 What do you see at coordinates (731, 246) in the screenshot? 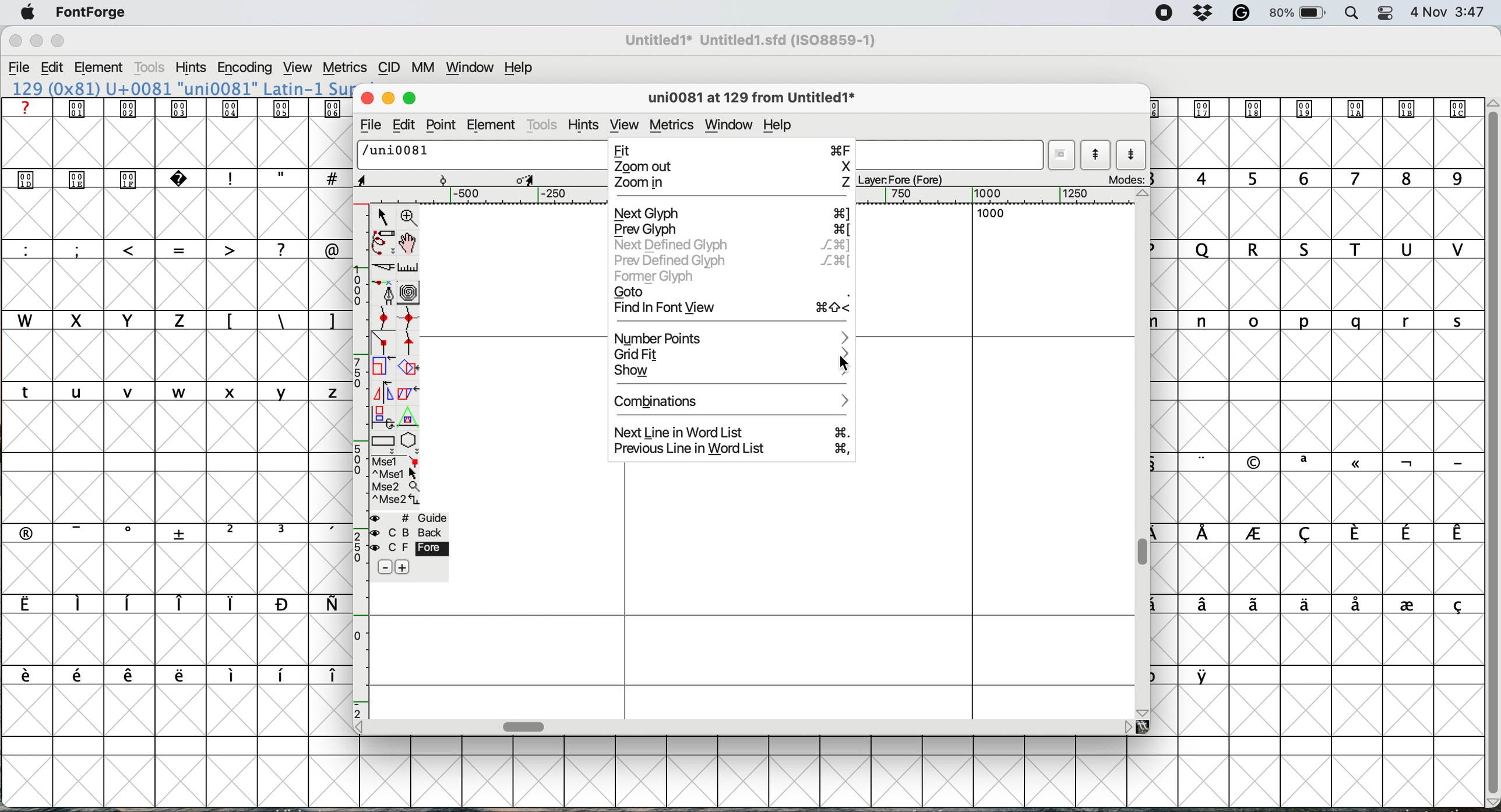
I see `next defined glyph` at bounding box center [731, 246].